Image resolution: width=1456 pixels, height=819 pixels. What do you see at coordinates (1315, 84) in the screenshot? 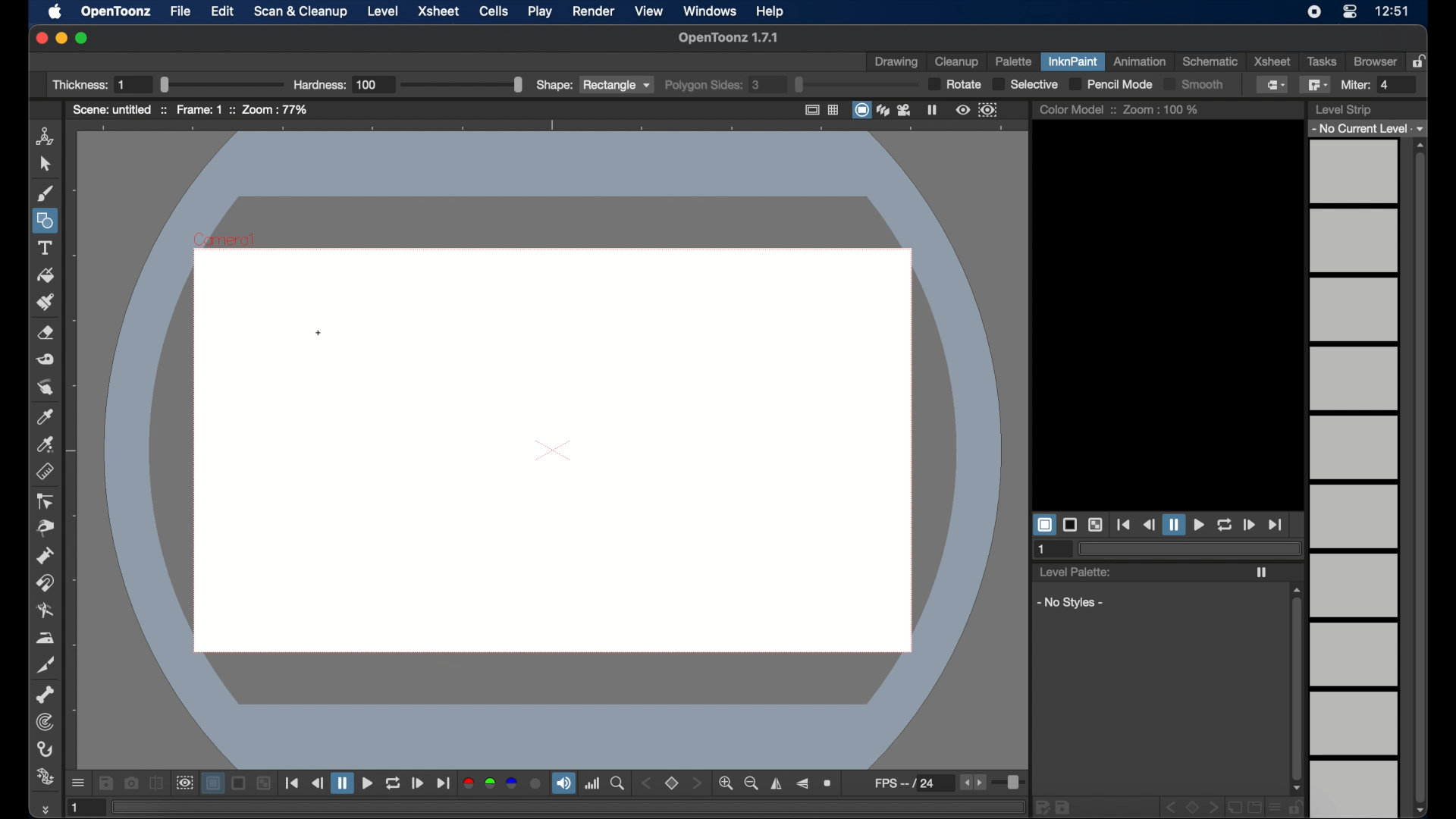
I see `polyline fill tool` at bounding box center [1315, 84].